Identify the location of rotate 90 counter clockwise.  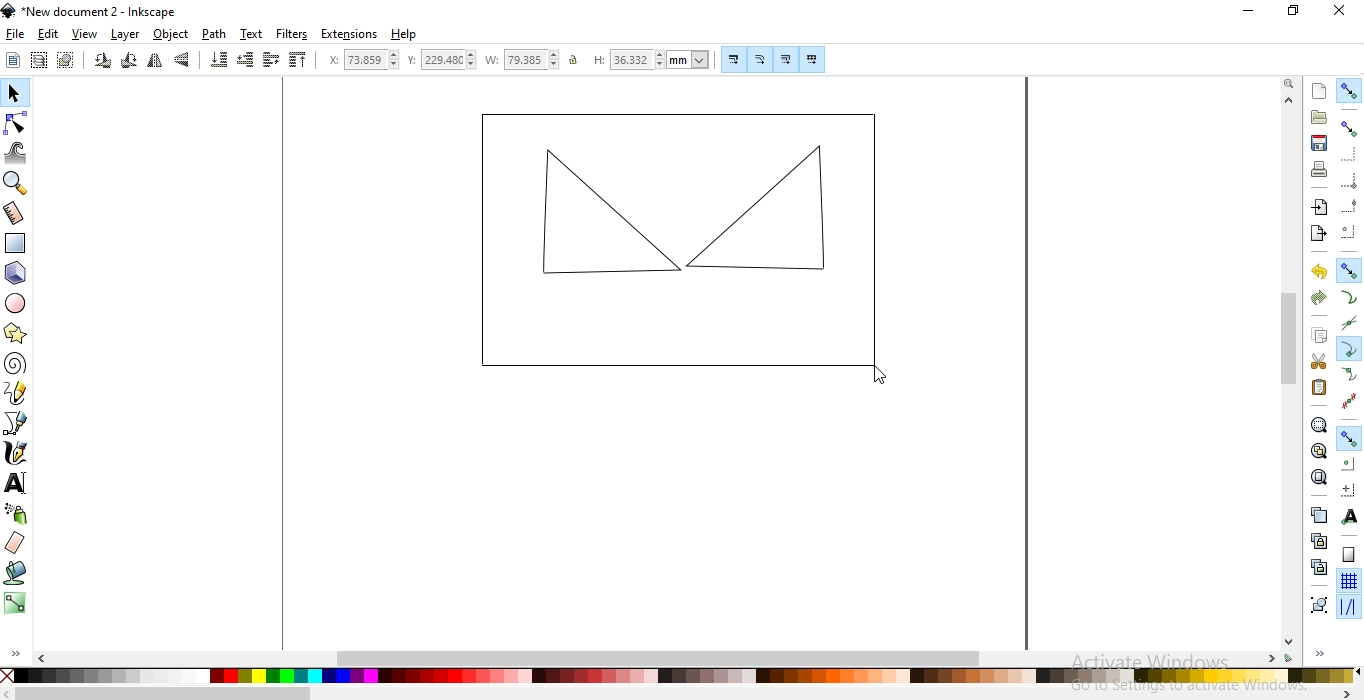
(103, 61).